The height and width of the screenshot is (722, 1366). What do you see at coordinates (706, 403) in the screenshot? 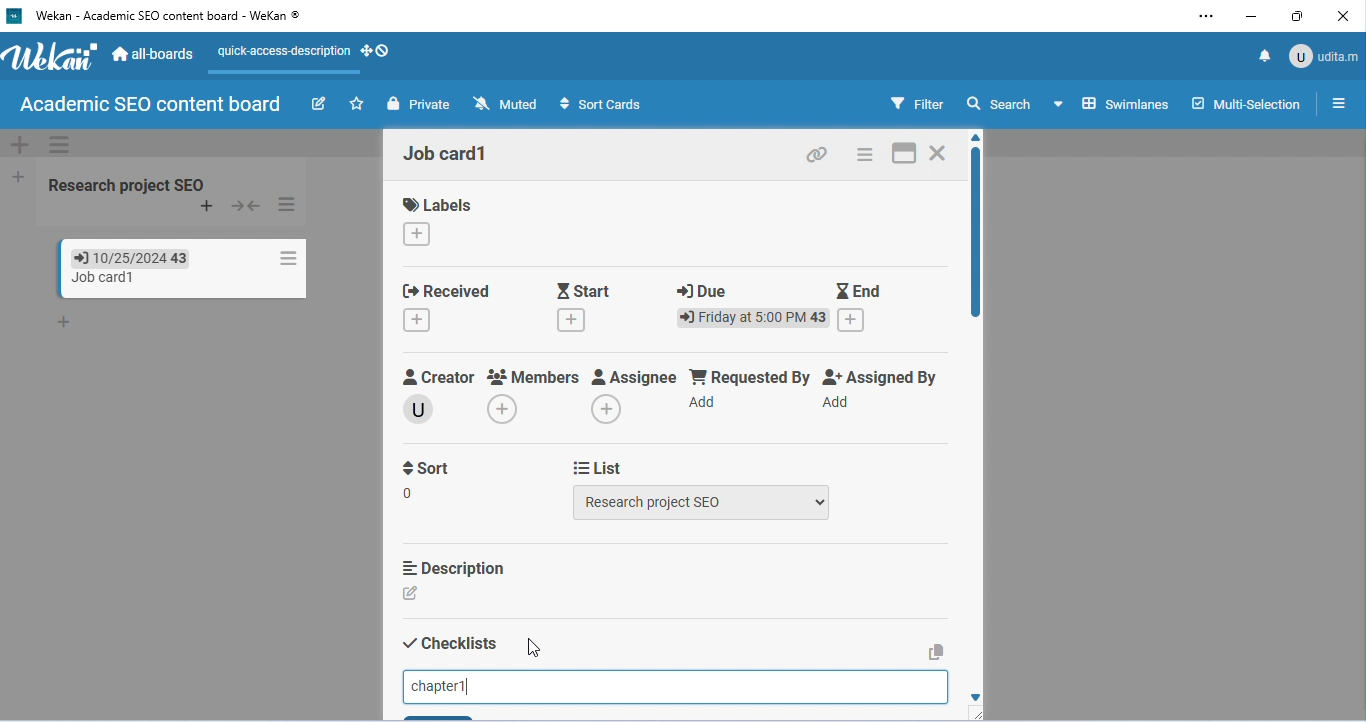
I see `add requester` at bounding box center [706, 403].